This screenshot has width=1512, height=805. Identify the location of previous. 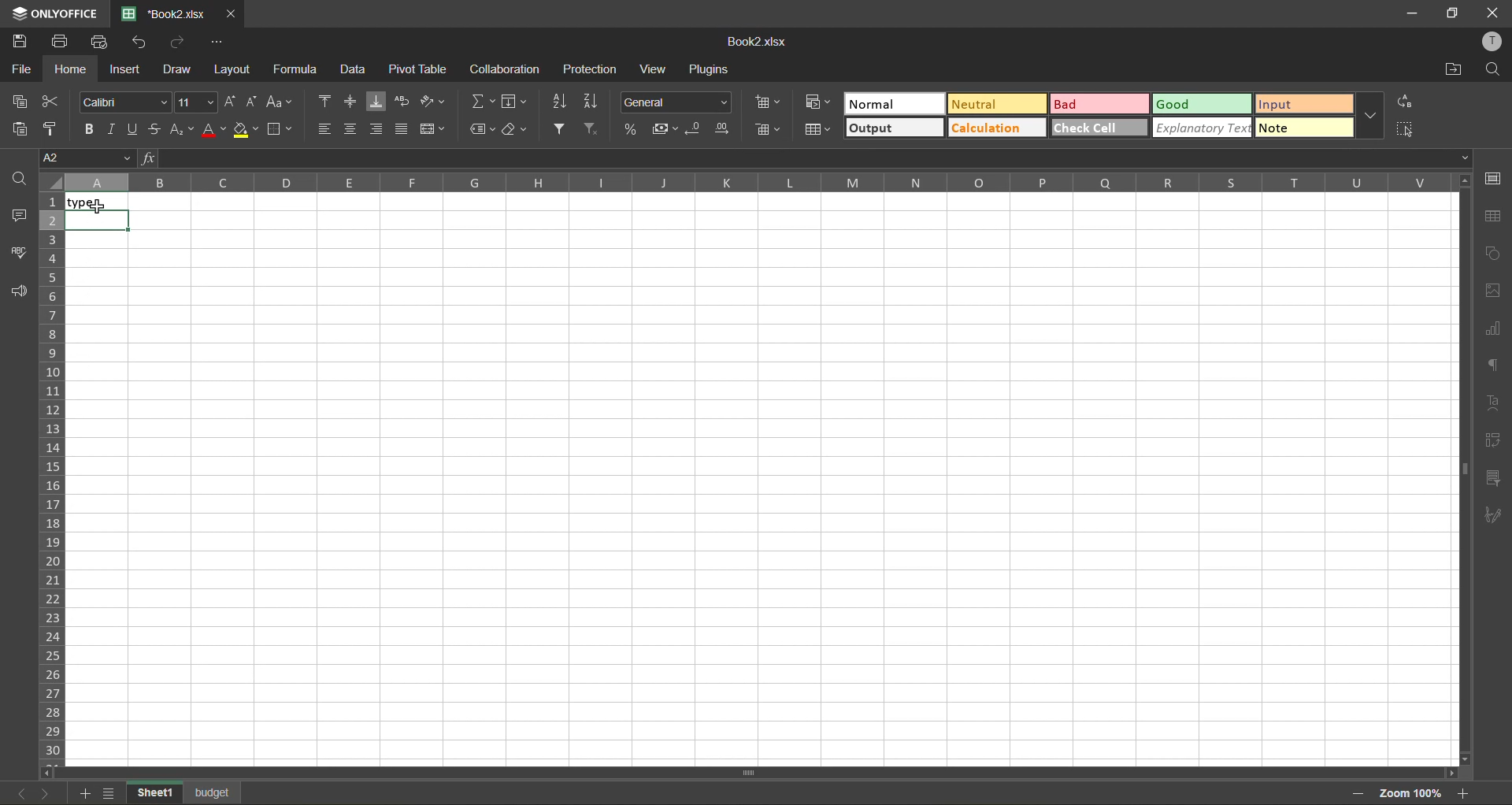
(13, 791).